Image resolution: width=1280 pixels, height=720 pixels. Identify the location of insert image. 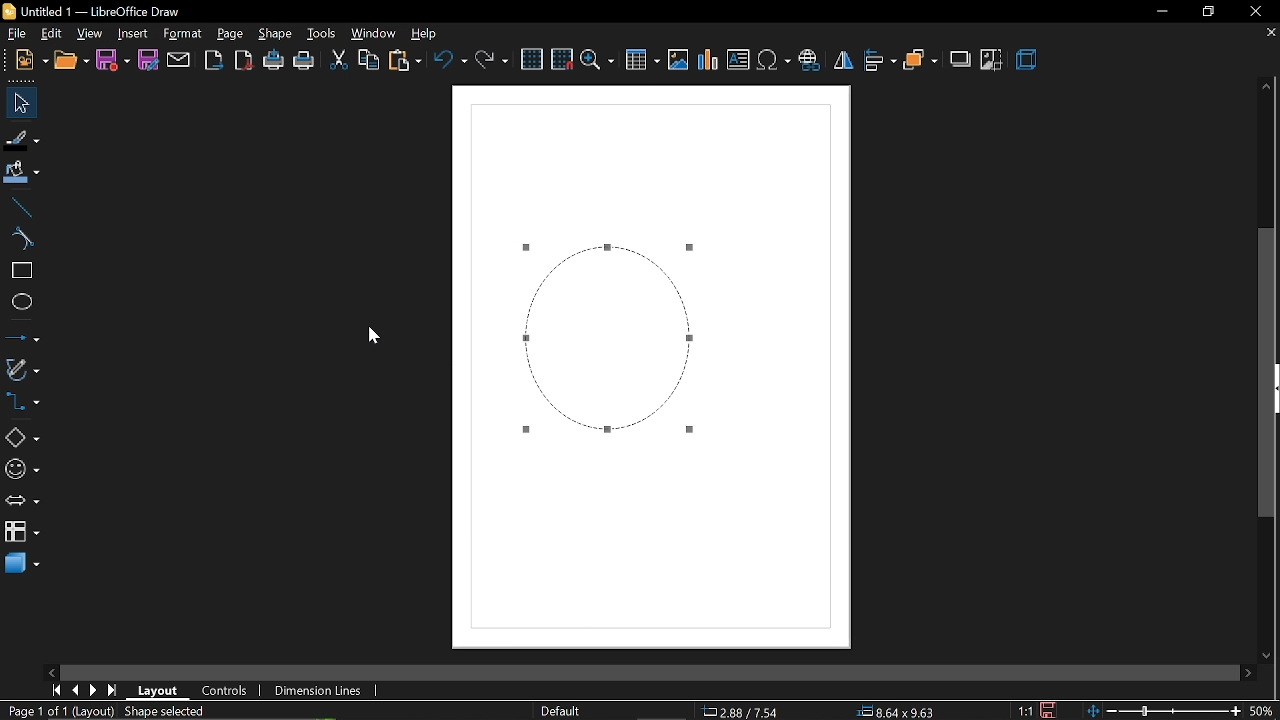
(679, 61).